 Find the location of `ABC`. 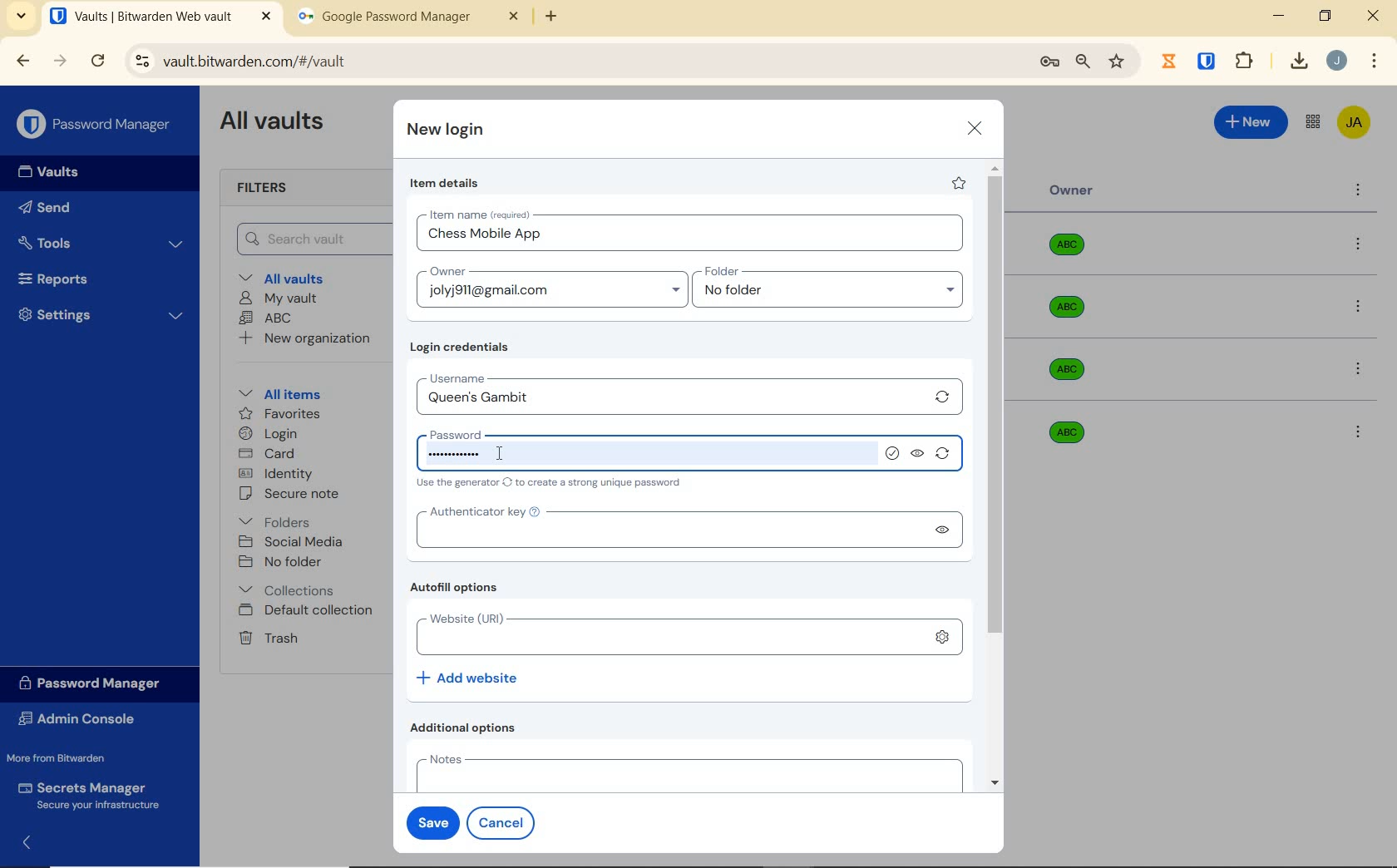

ABC is located at coordinates (265, 318).